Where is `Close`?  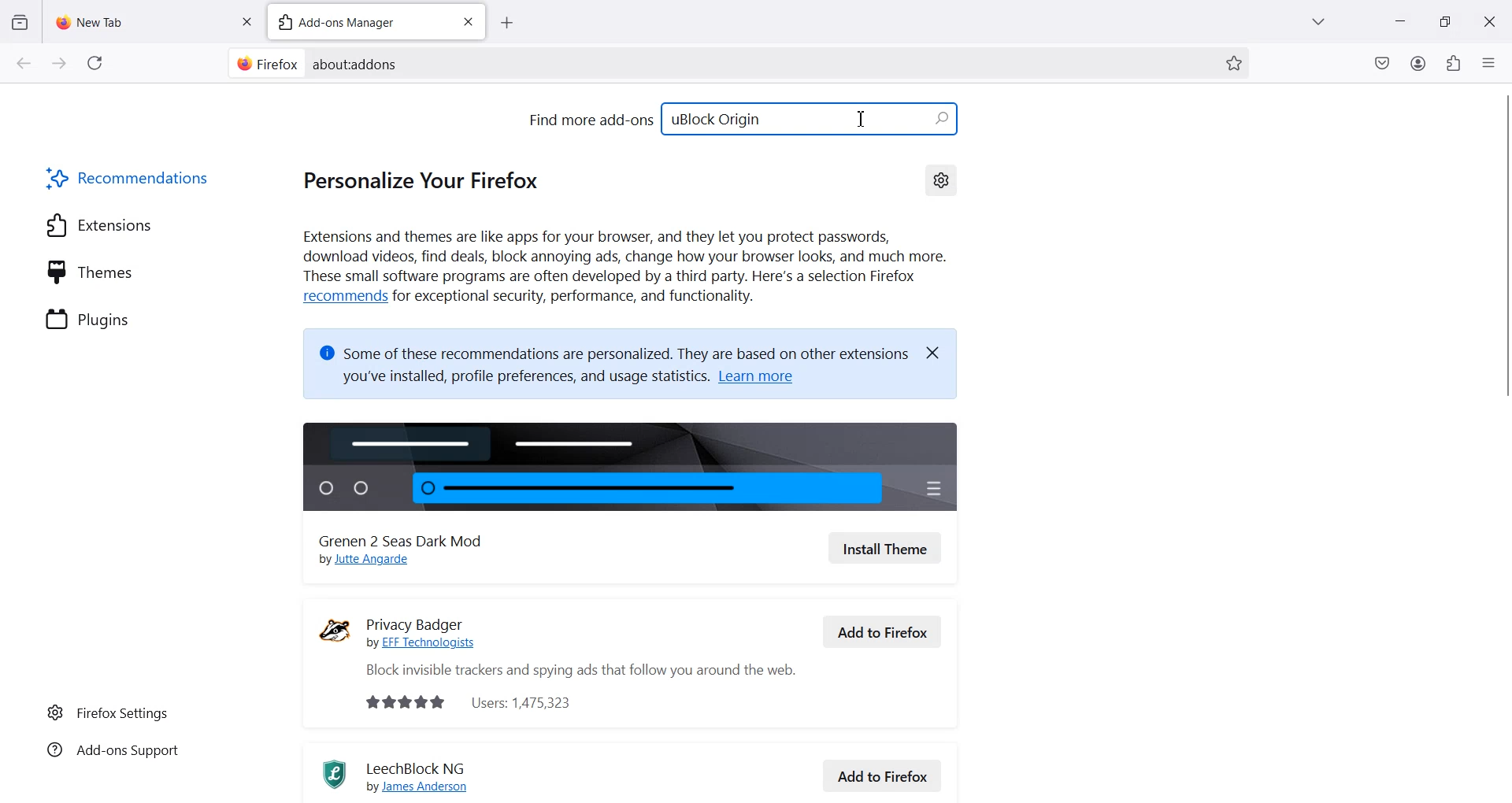 Close is located at coordinates (1489, 20).